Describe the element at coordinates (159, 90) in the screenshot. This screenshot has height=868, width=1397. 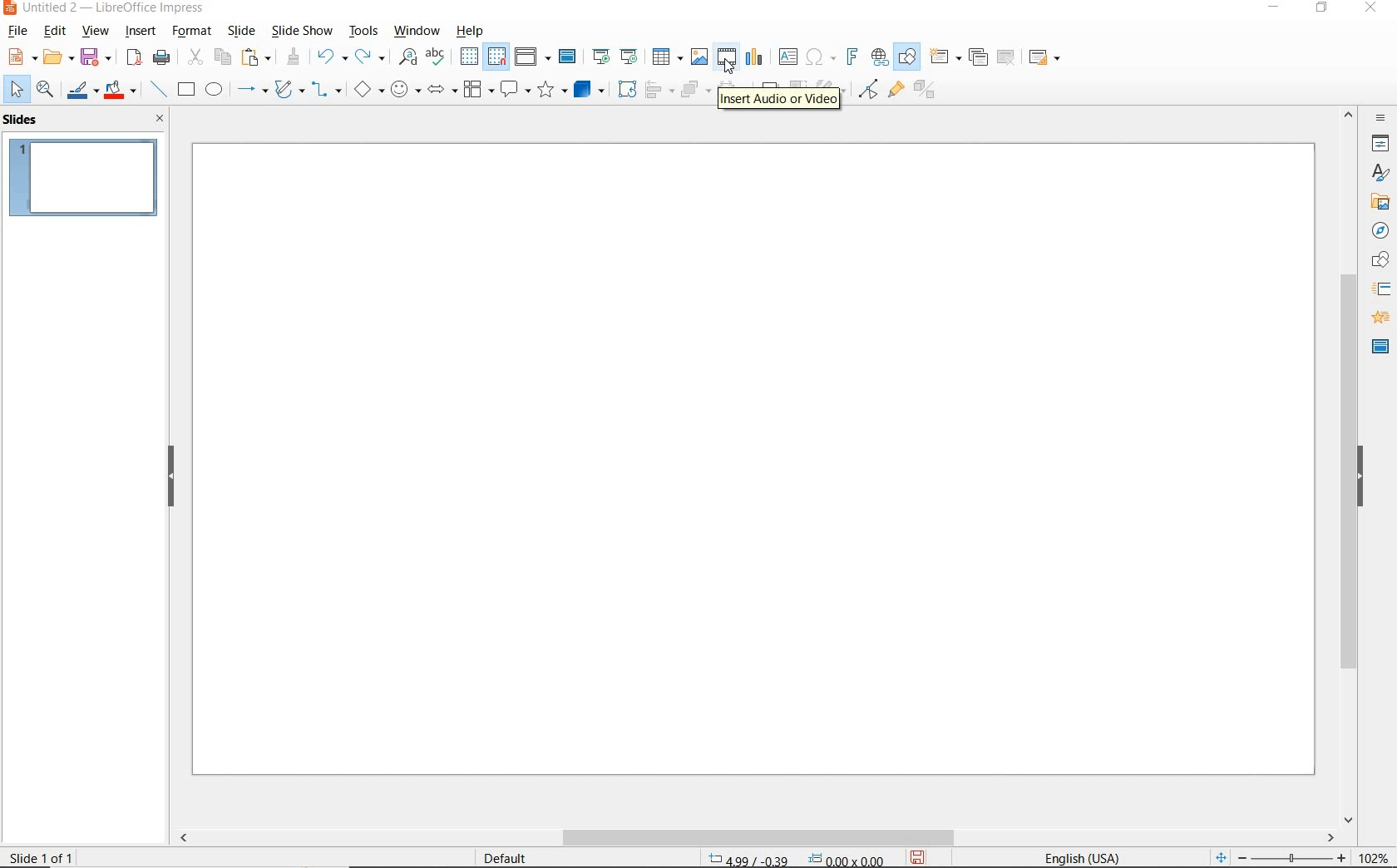
I see `INSERT LINE` at that location.